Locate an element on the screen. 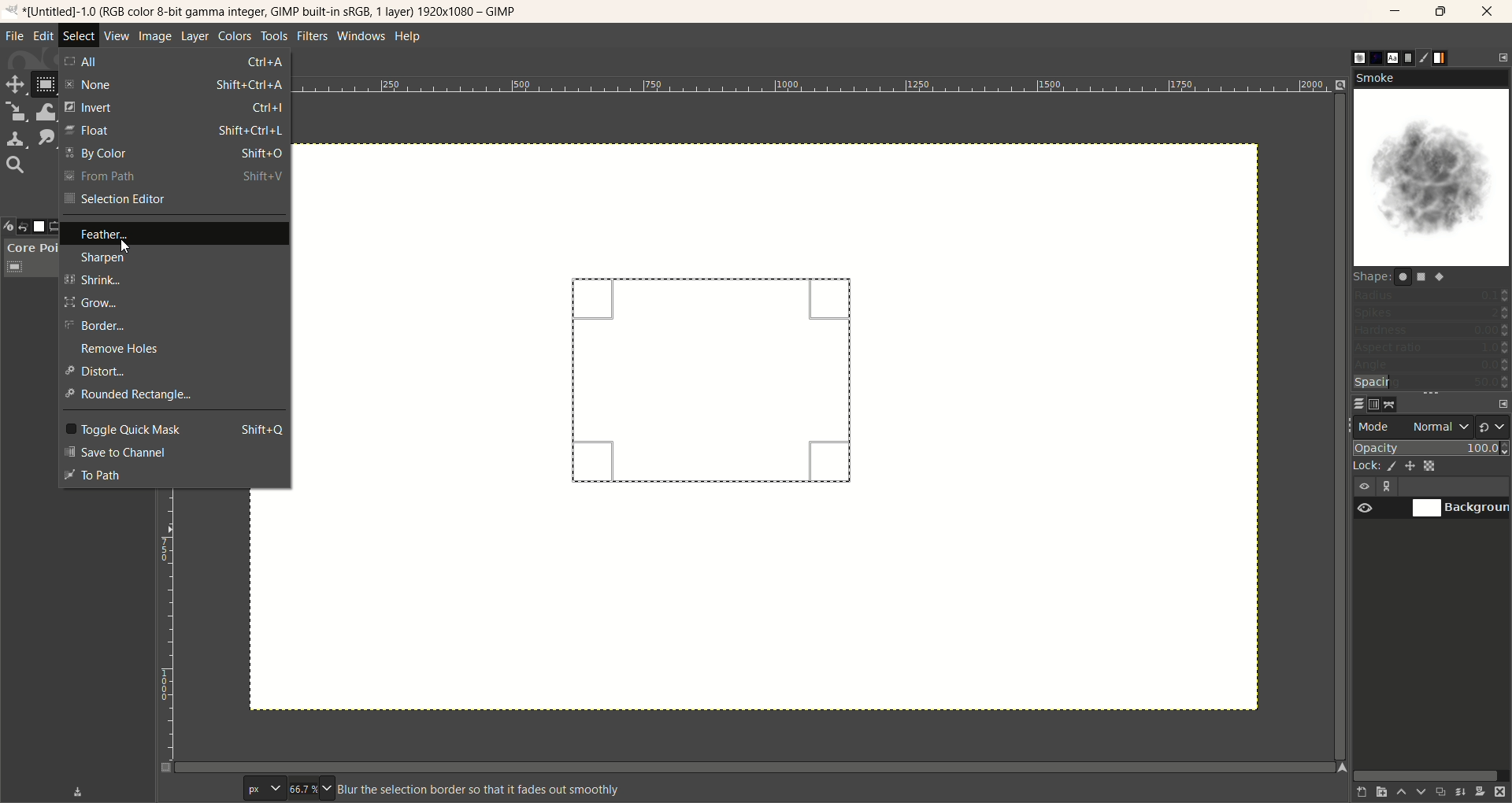 This screenshot has width=1512, height=803. logo is located at coordinates (11, 13).